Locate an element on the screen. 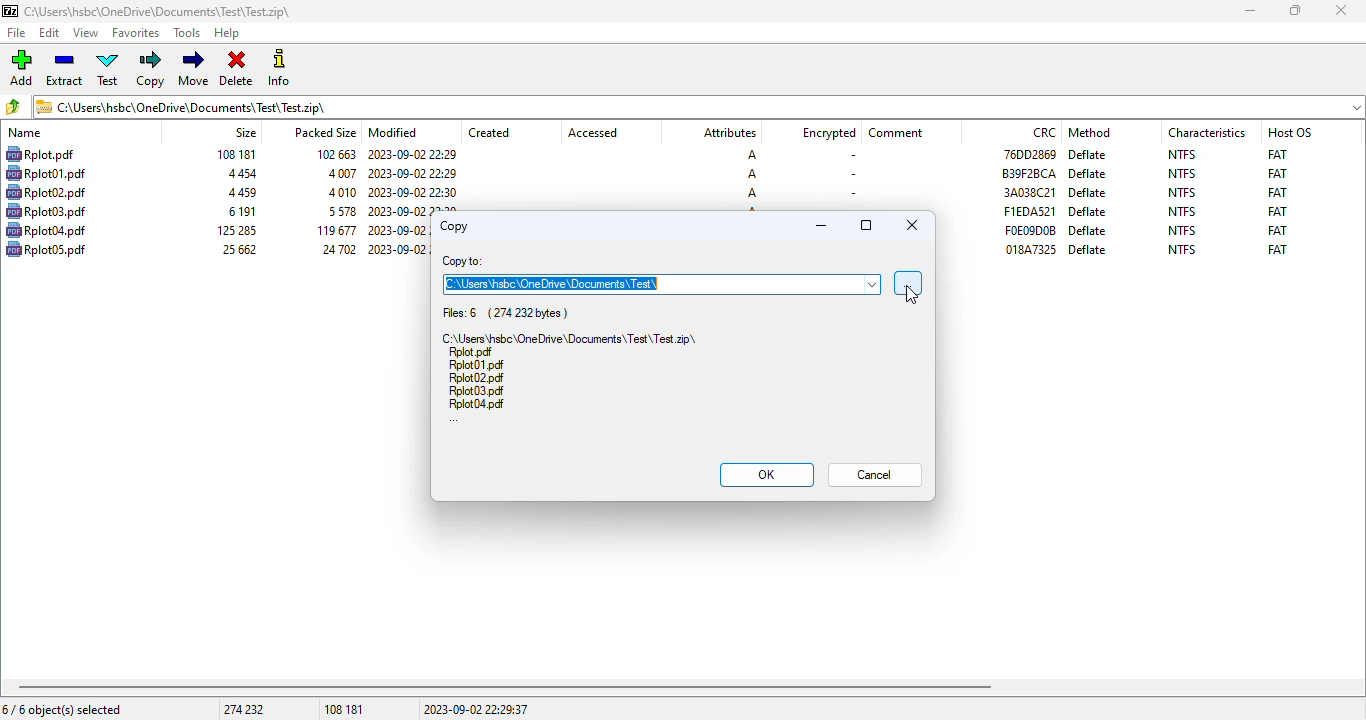 This screenshot has width=1366, height=720. file is located at coordinates (46, 192).